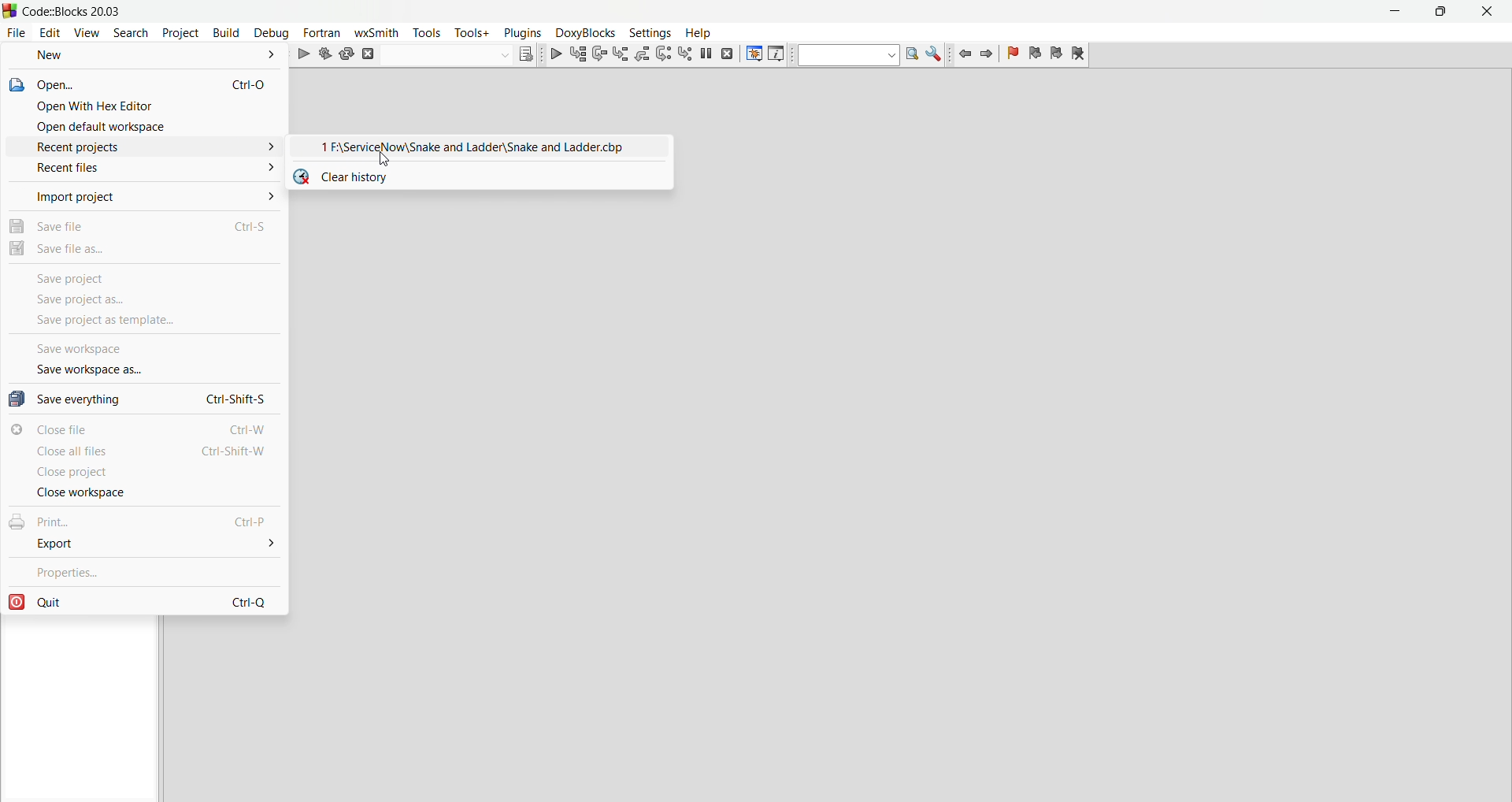  I want to click on previous bookmark, so click(1035, 54).